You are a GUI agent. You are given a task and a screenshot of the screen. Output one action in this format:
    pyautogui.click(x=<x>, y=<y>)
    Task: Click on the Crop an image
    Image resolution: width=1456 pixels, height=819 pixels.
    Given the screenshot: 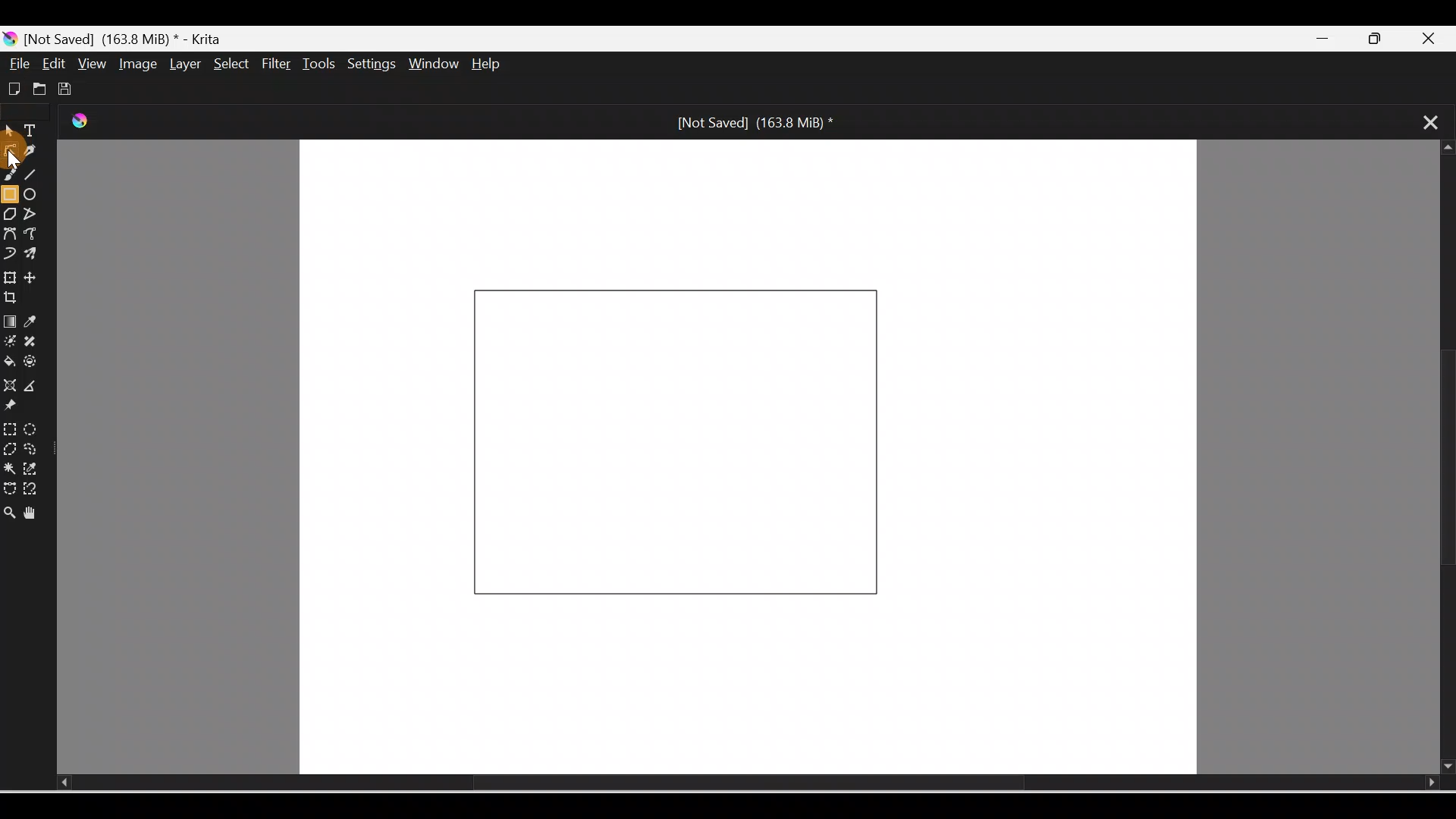 What is the action you would take?
    pyautogui.click(x=17, y=298)
    